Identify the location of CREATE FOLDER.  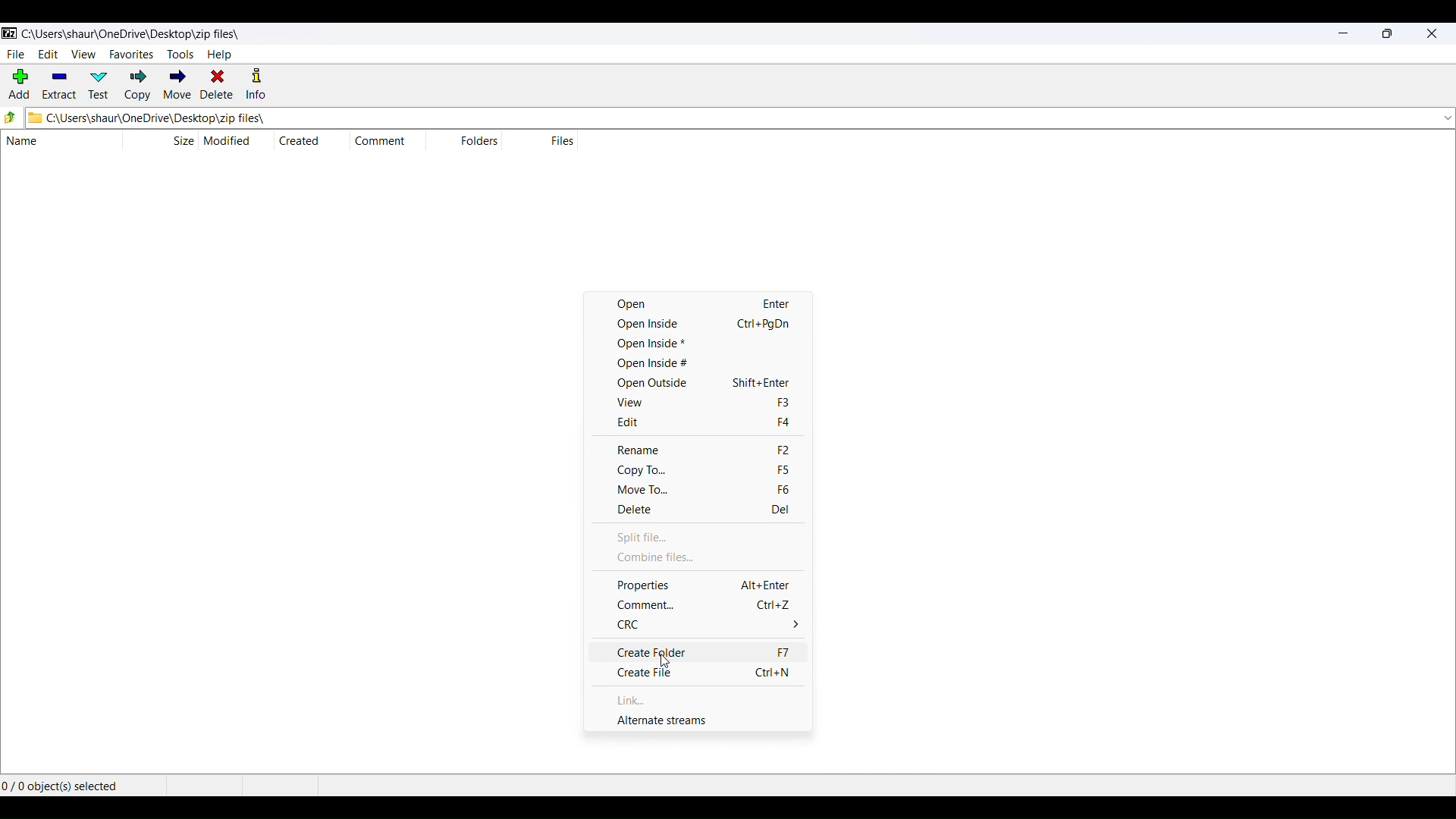
(707, 651).